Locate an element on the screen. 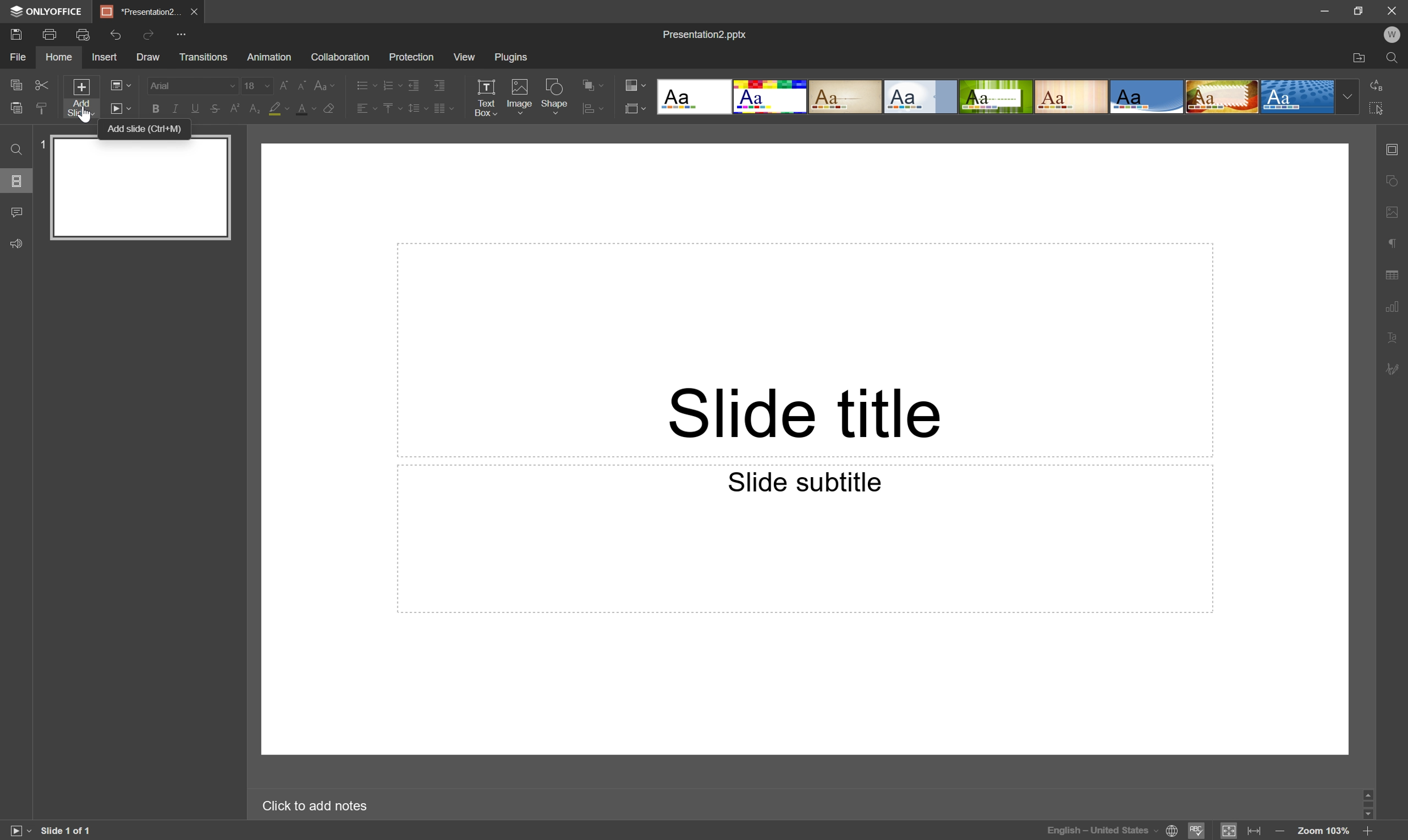 The image size is (1408, 840). Change slide layout is located at coordinates (121, 85).